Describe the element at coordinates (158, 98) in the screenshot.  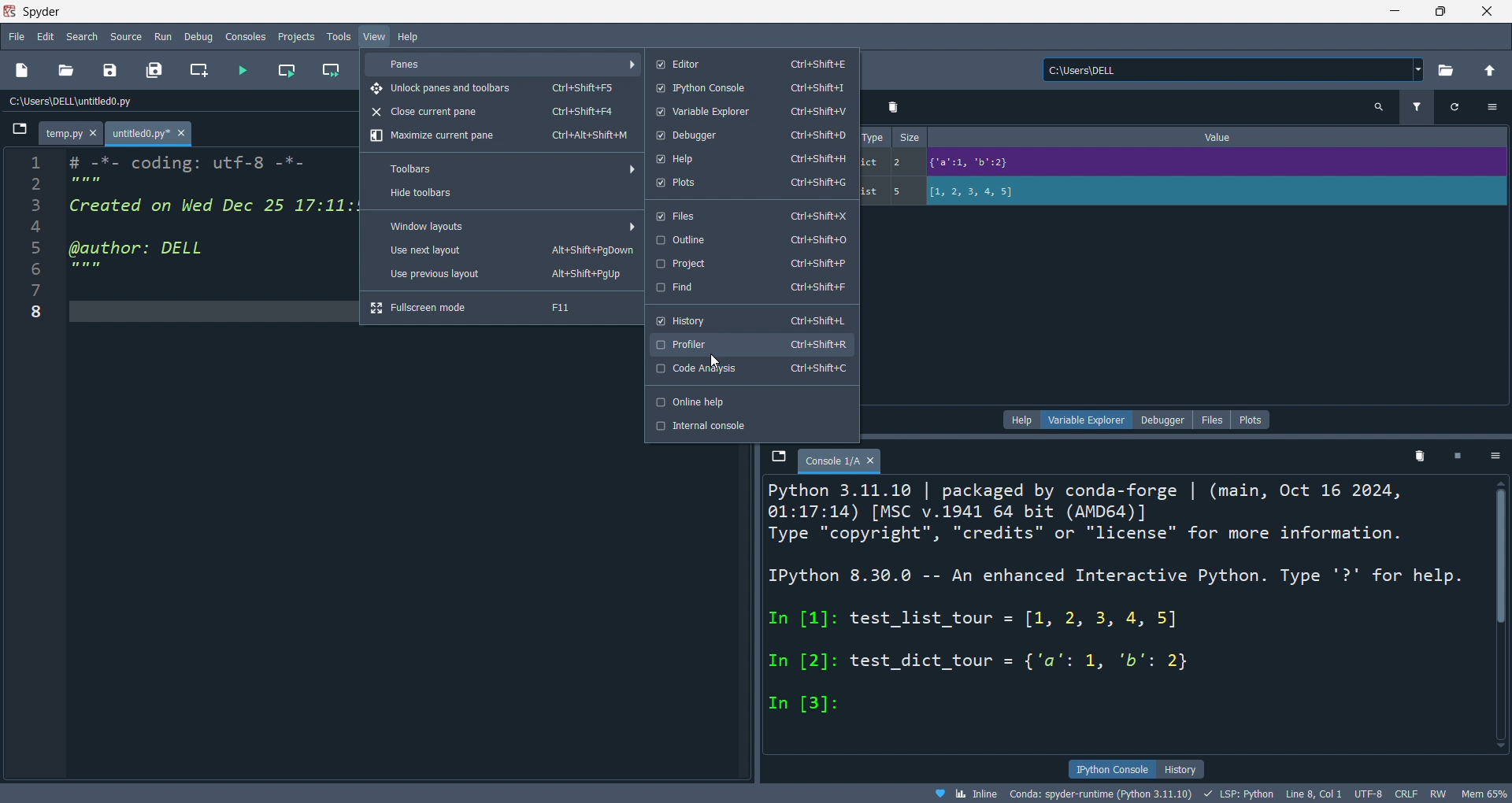
I see `C:\Users\DELL\untitled0.py` at that location.